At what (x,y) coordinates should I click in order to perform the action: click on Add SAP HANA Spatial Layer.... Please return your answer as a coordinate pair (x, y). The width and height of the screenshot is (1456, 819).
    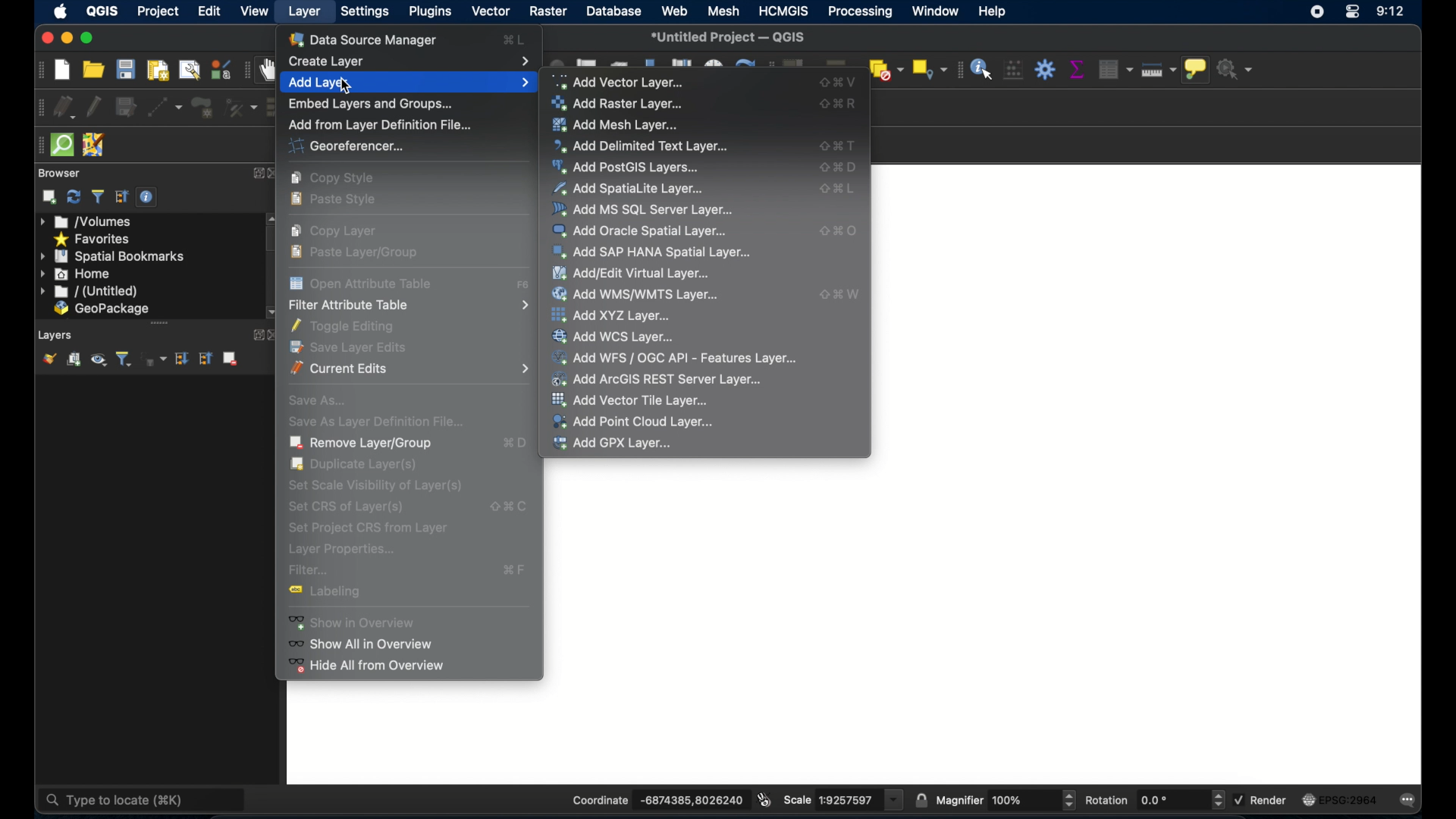
    Looking at the image, I should click on (707, 250).